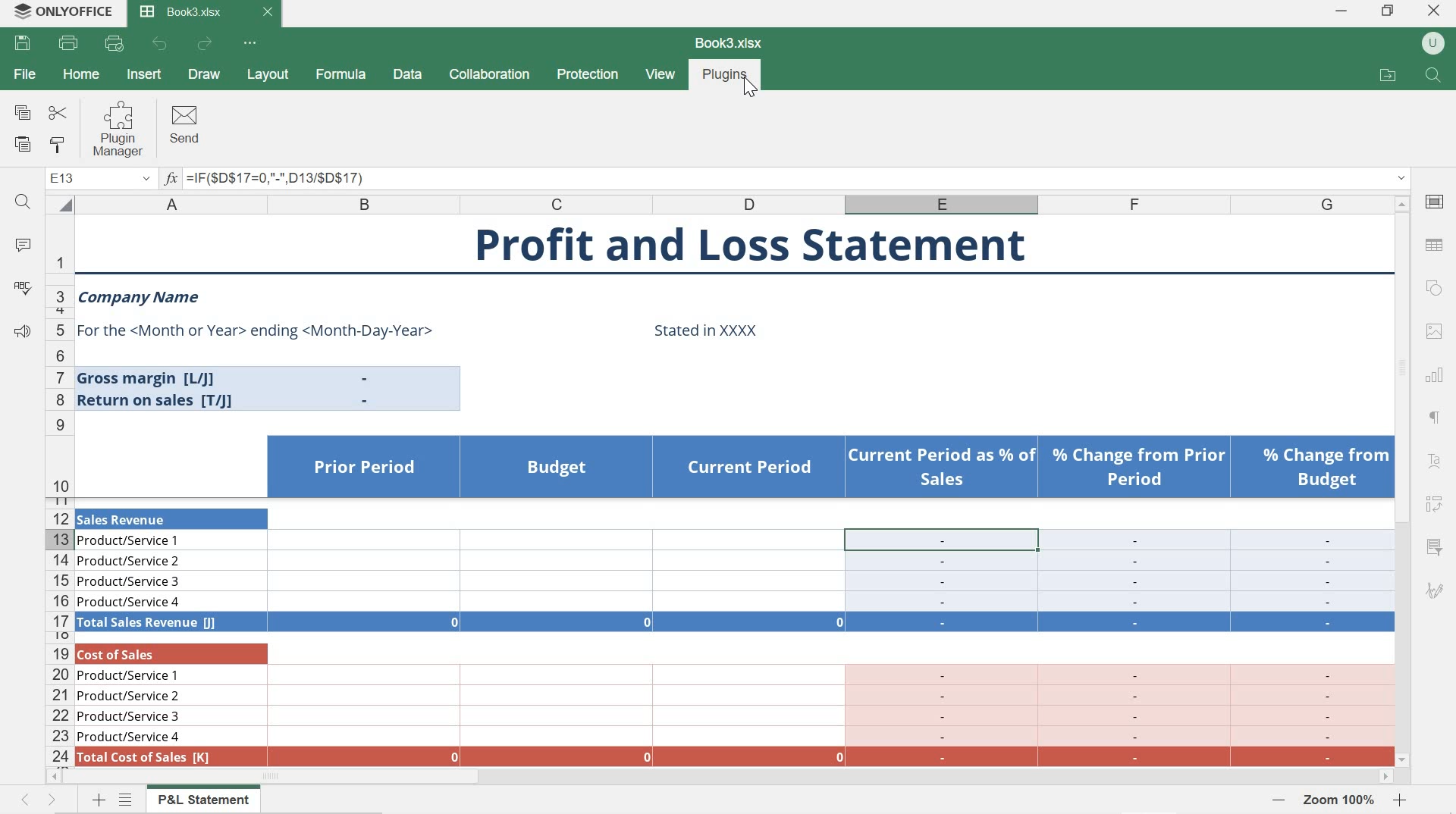 The height and width of the screenshot is (814, 1456). Describe the element at coordinates (1437, 11) in the screenshot. I see `close` at that location.